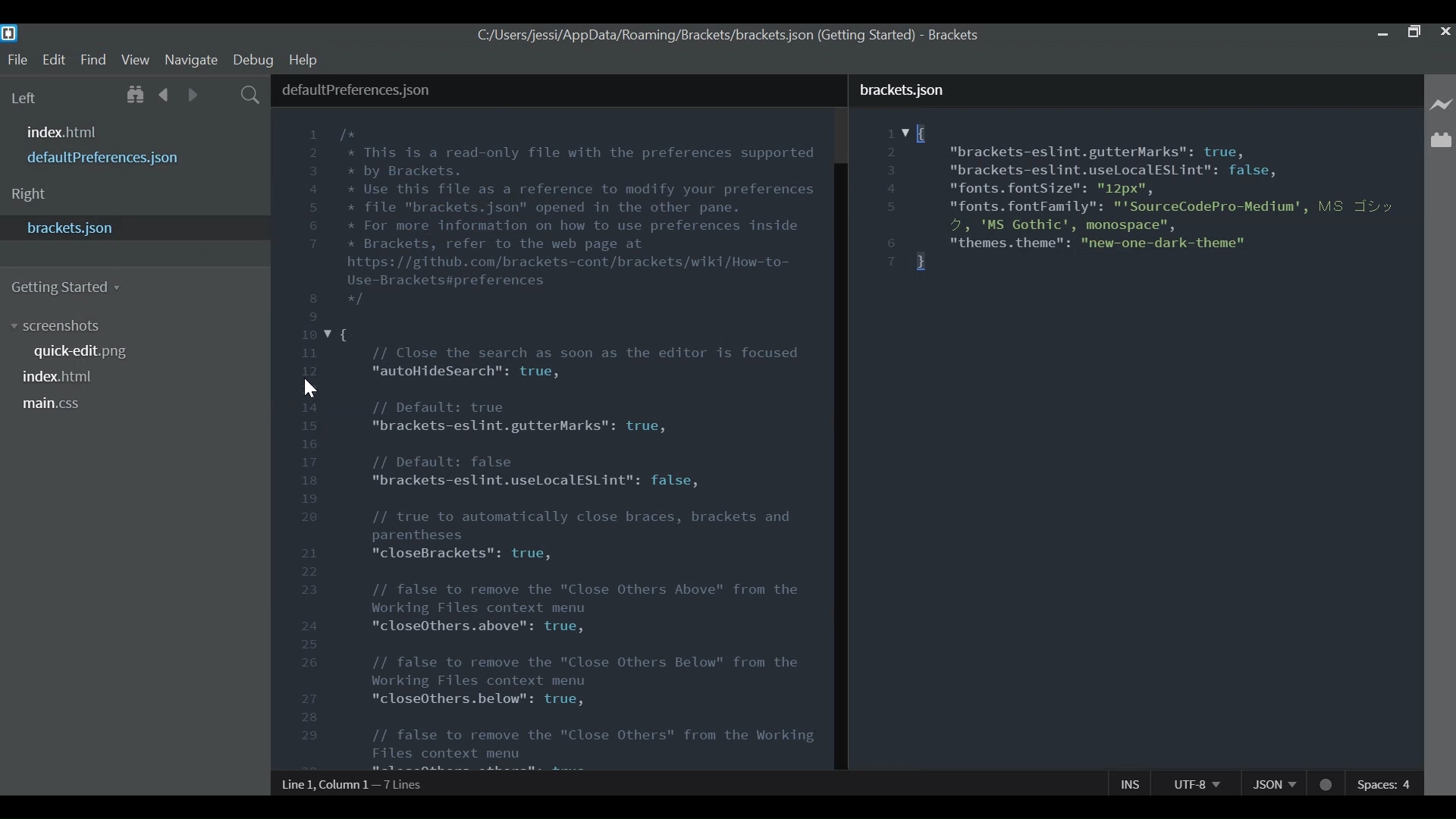  What do you see at coordinates (1445, 33) in the screenshot?
I see `Close` at bounding box center [1445, 33].